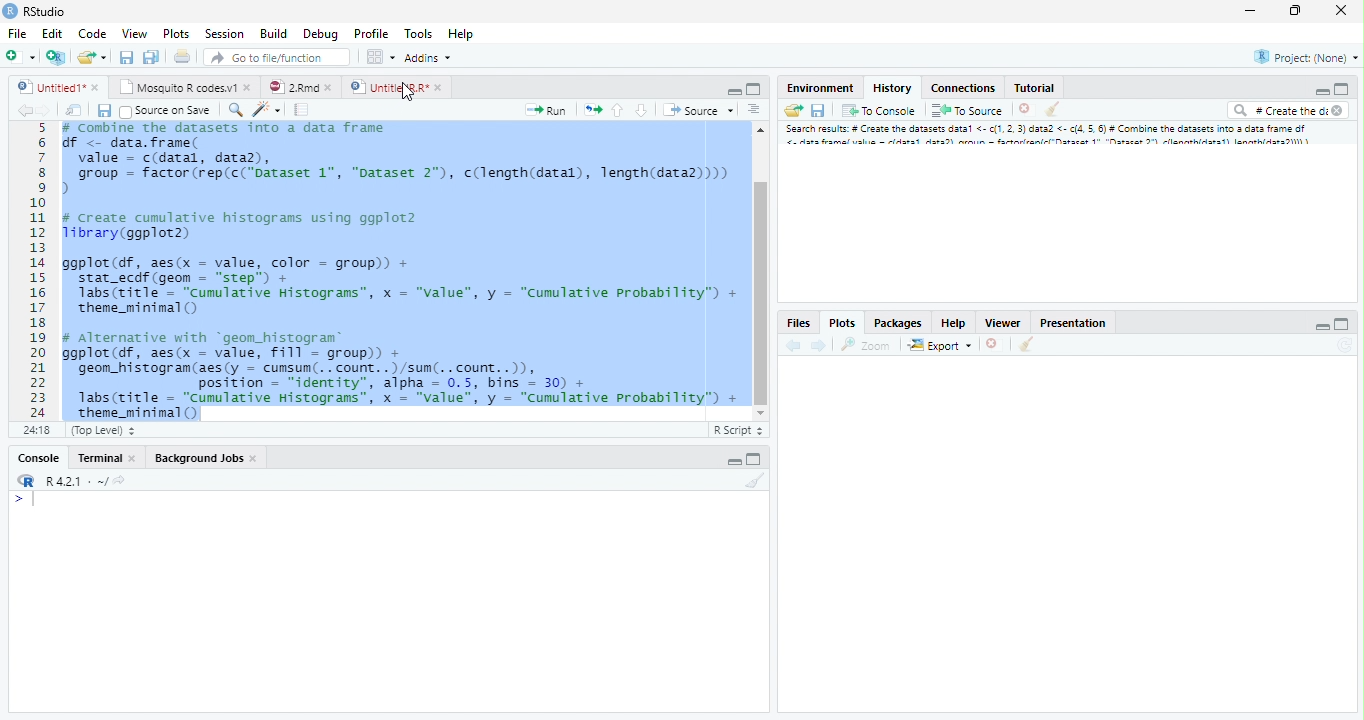  What do you see at coordinates (1253, 11) in the screenshot?
I see `Minimize` at bounding box center [1253, 11].